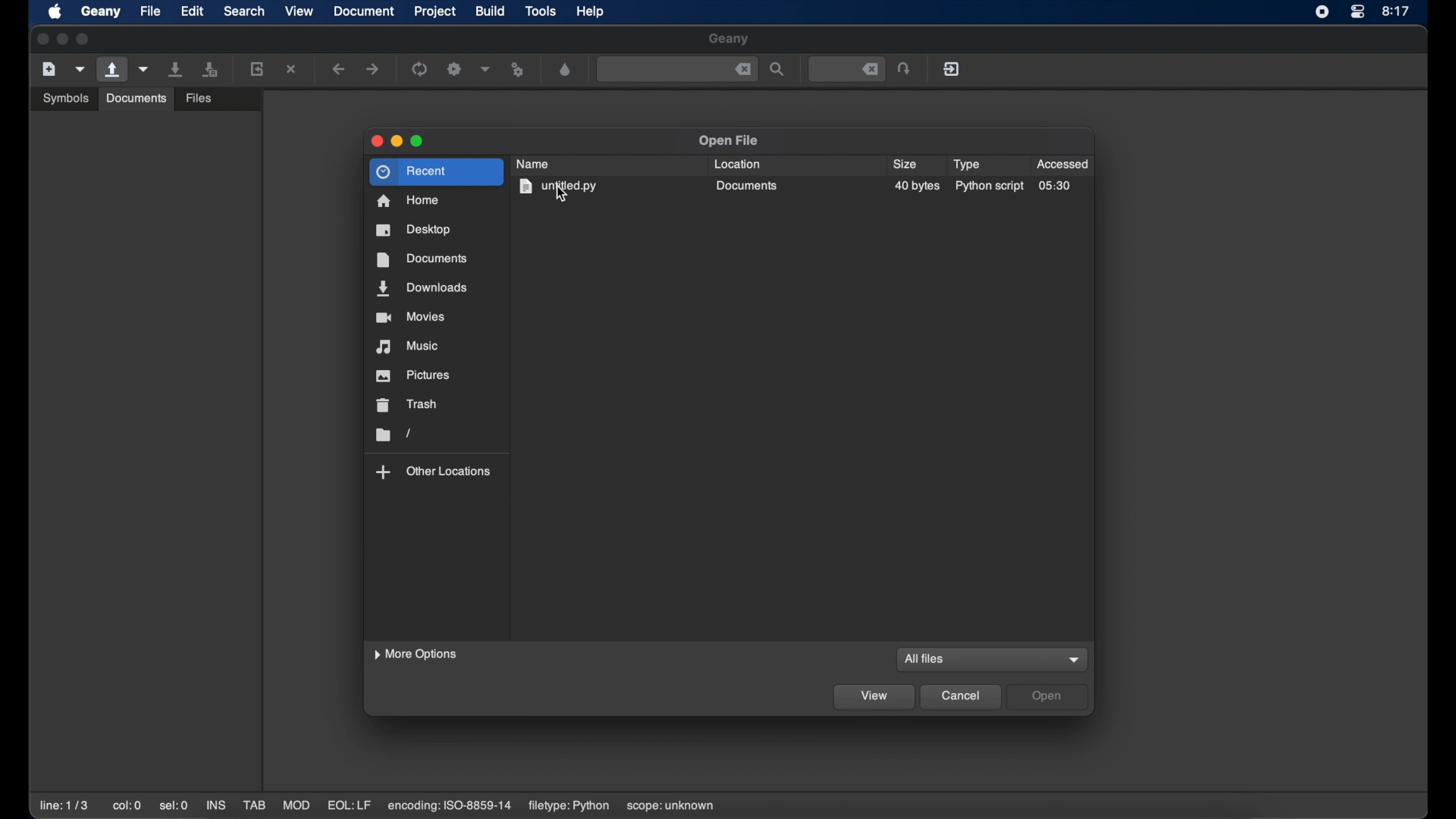  What do you see at coordinates (486, 69) in the screenshot?
I see `choose more build actions` at bounding box center [486, 69].